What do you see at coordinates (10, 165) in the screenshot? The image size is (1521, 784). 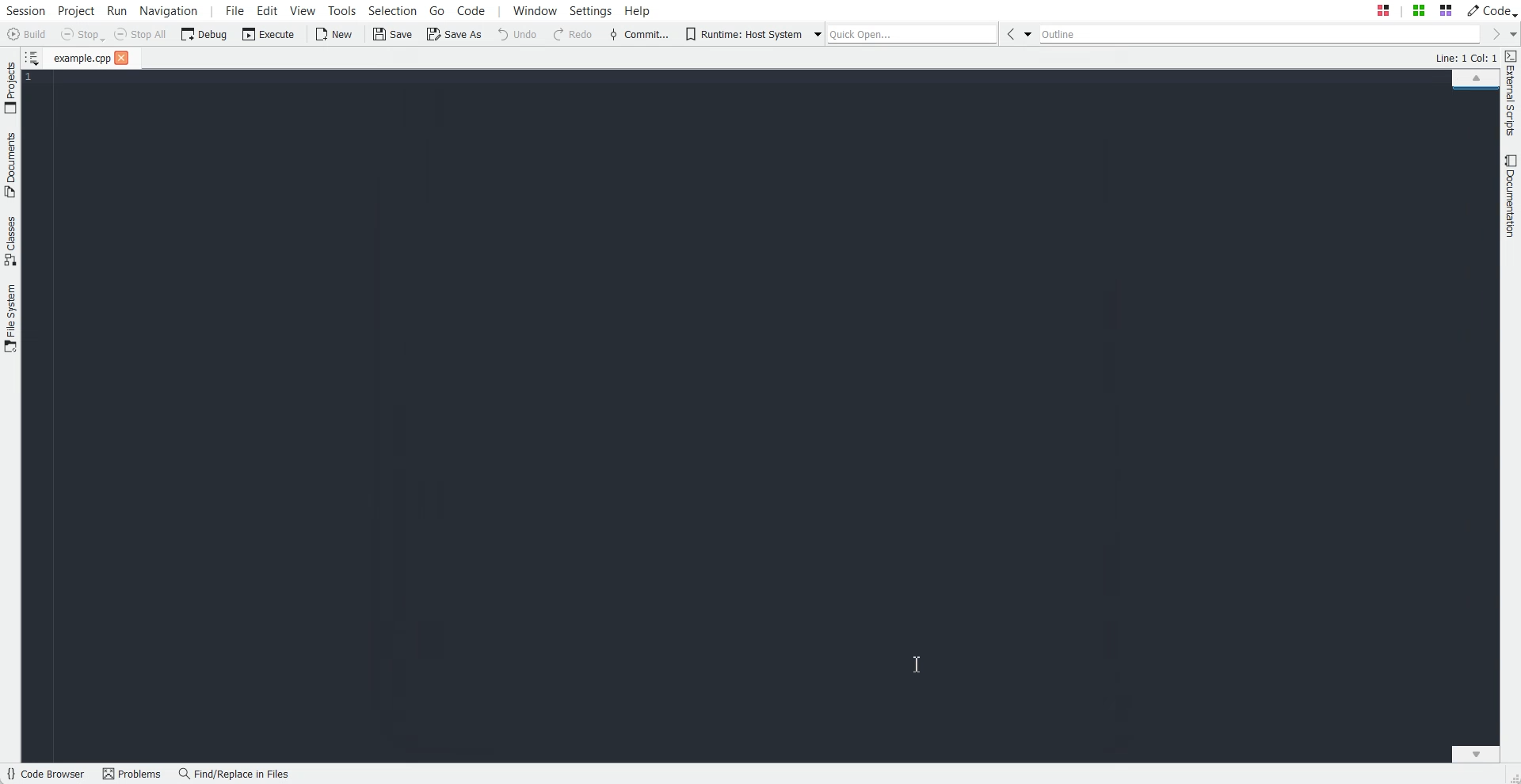 I see `Documents` at bounding box center [10, 165].